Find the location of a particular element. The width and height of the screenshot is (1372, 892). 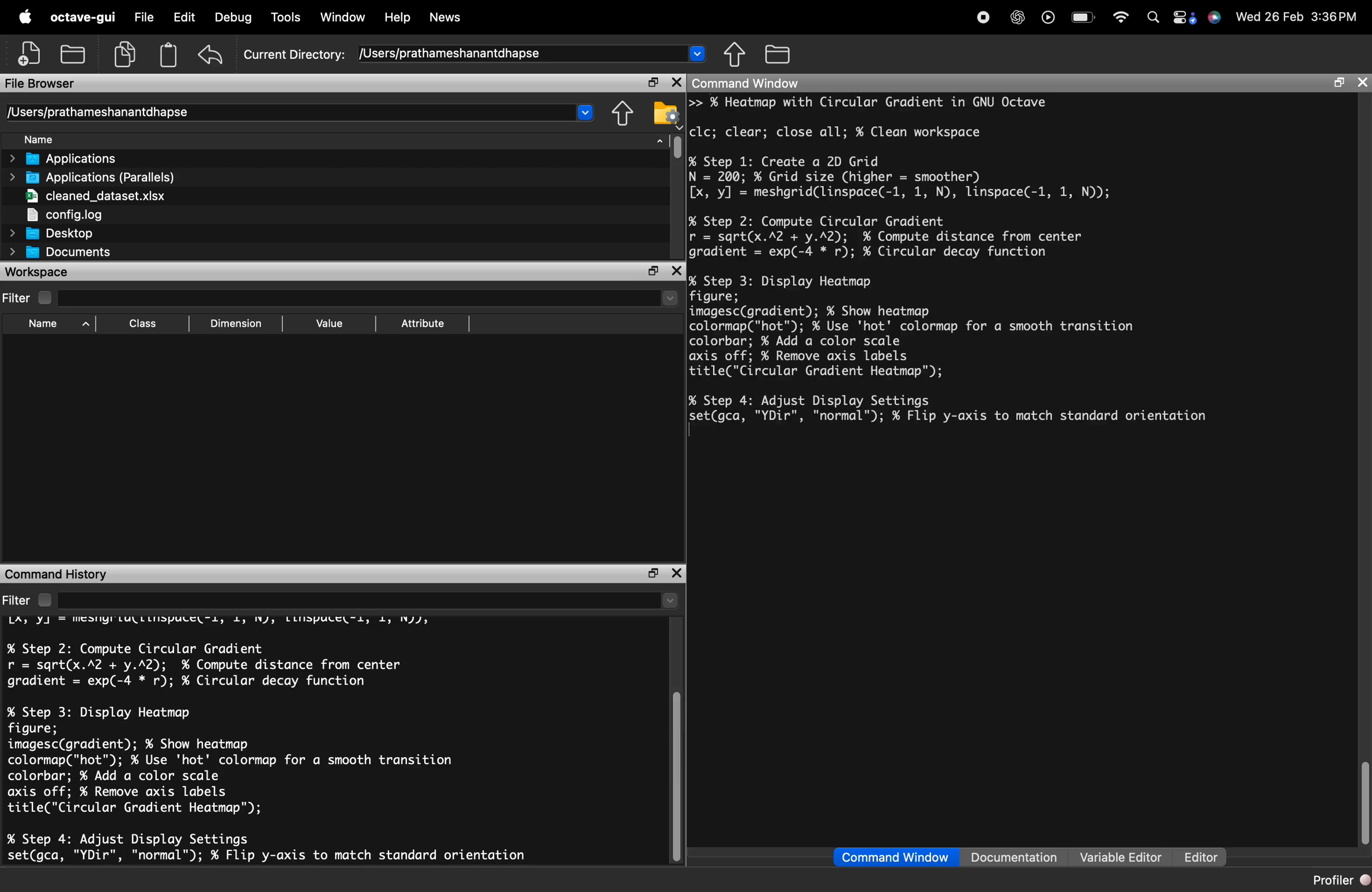

LA, YJ = MESNYILULLLIDPULE "Ll, 4, IV), LLIDPULE "1, 1, IN),

% Step 2: Compute Circular Gradient

r = sqrt(x.A2 + y.A2); % Compute distance from center
gradient = exp(-4 * r); % Circular decay function

% Step 3: Display Heatmap

figure;

imagesc(gradient); % Show heatmap

colormap("hot"); % Use 'hot' colormap for a smooth transition
colorbar; % Add a color scale

axis off; ¥ Remove axis labels

title("Circular Gradient Heatmap");

% Step 4: Adjust Display Settings

set(gca, "YDir", "normal"™); % Flip y-axis to match standard orientation is located at coordinates (268, 740).